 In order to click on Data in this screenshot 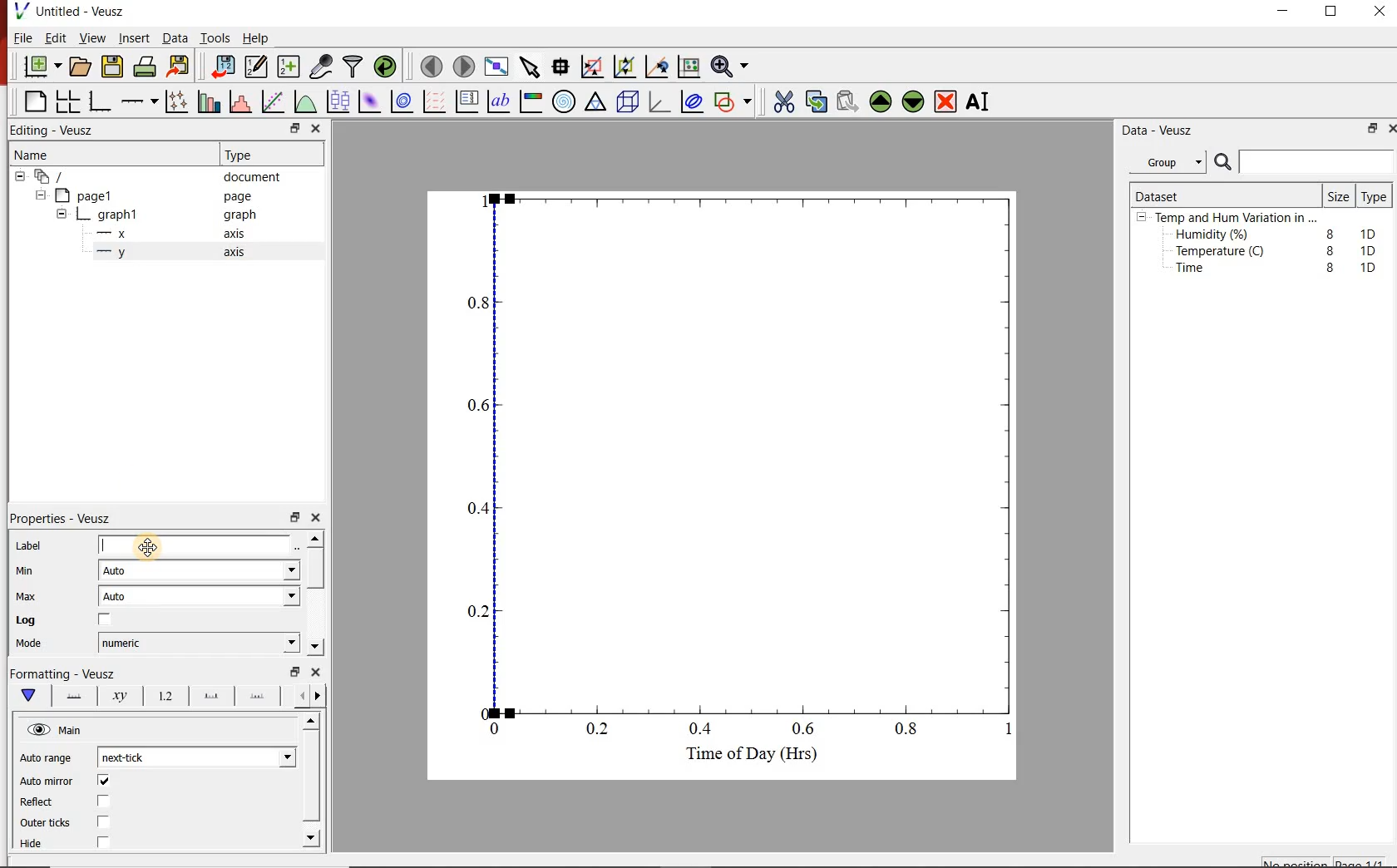, I will do `click(171, 38)`.